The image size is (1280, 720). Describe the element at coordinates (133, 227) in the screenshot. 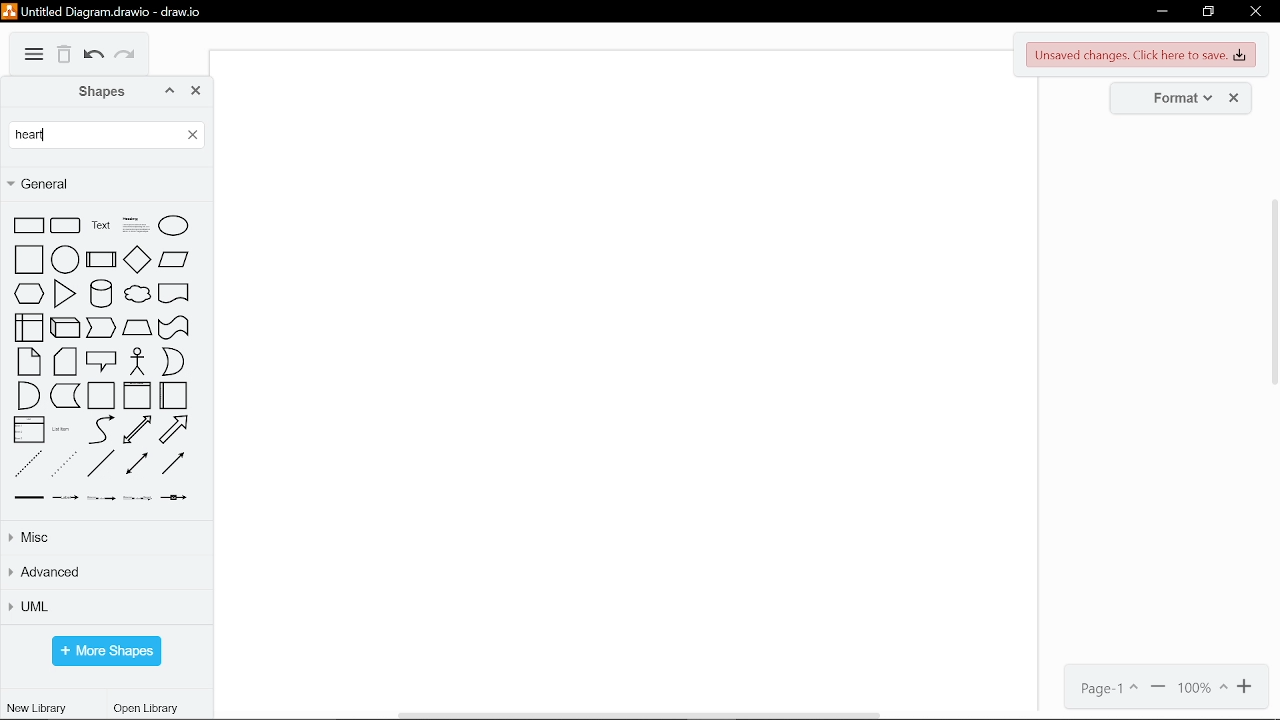

I see `heading` at that location.